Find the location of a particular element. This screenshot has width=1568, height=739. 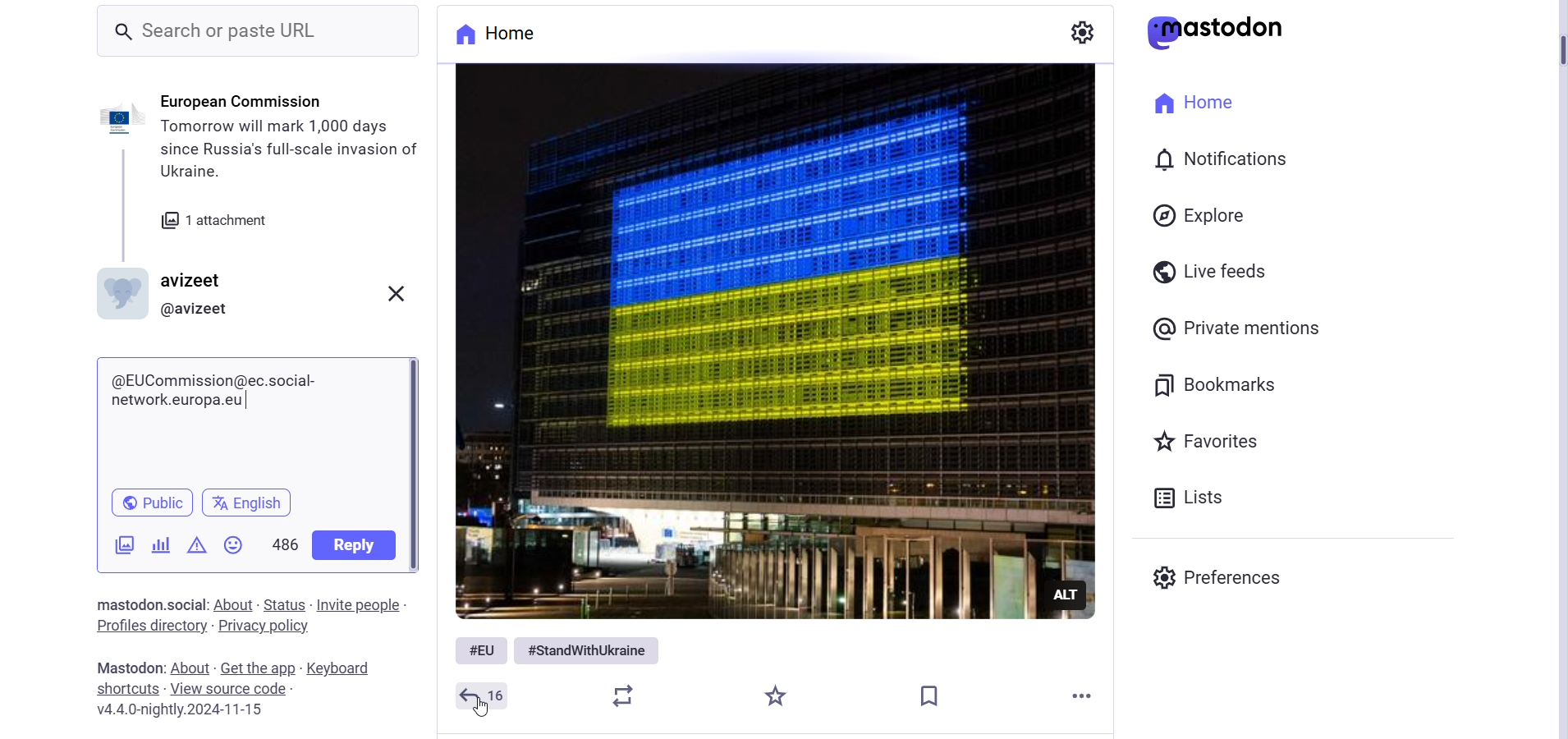

Logo is located at coordinates (1220, 32).